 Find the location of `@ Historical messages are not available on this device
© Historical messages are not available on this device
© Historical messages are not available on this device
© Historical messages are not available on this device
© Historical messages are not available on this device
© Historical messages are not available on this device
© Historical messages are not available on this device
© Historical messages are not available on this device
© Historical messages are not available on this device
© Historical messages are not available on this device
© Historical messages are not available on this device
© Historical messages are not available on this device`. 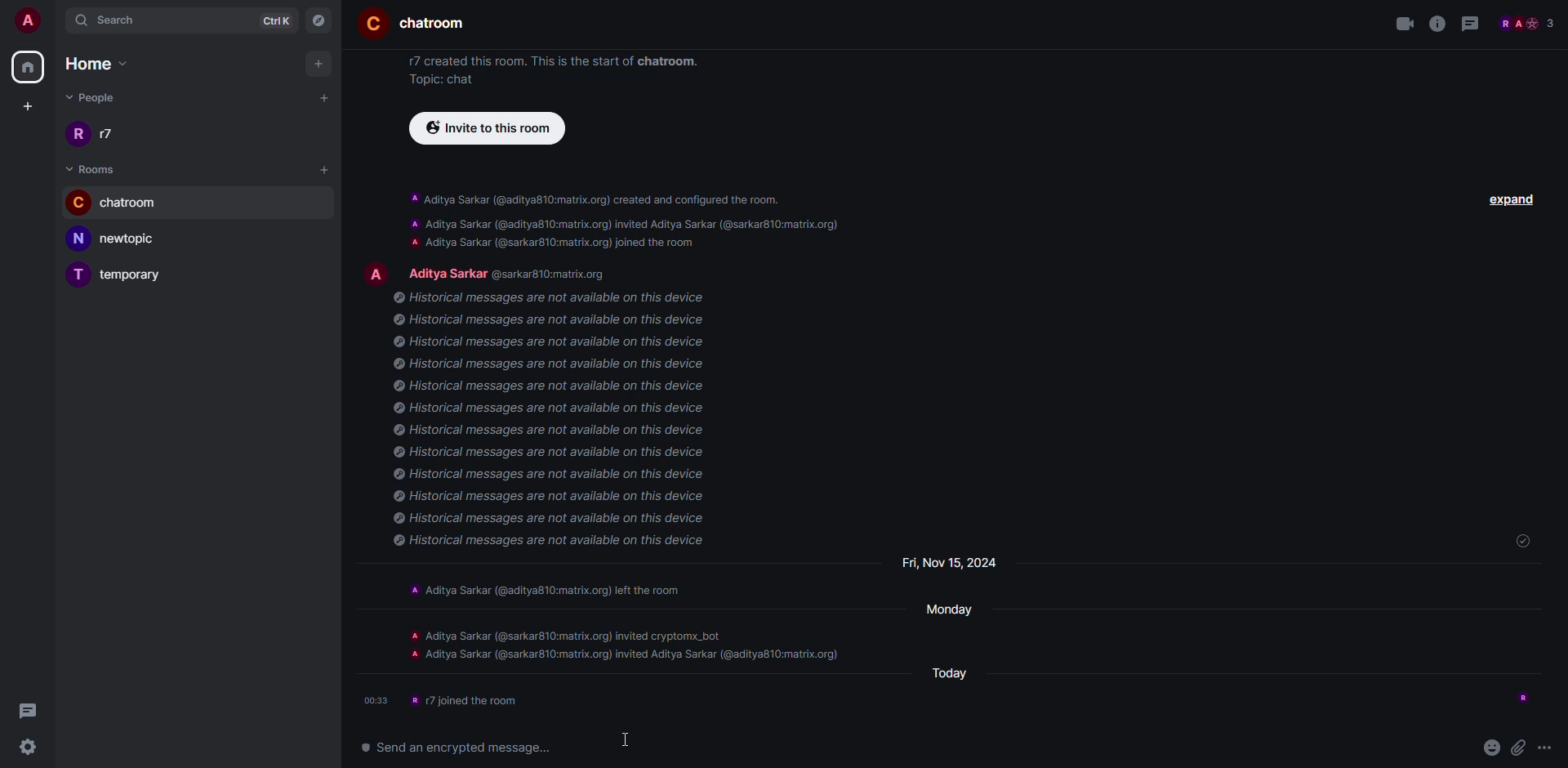

@ Historical messages are not available on this device
© Historical messages are not available on this device
© Historical messages are not available on this device
© Historical messages are not available on this device
© Historical messages are not available on this device
© Historical messages are not available on this device
© Historical messages are not available on this device
© Historical messages are not available on this device
© Historical messages are not available on this device
© Historical messages are not available on this device
© Historical messages are not available on this device
© Historical messages are not available on this device is located at coordinates (563, 424).